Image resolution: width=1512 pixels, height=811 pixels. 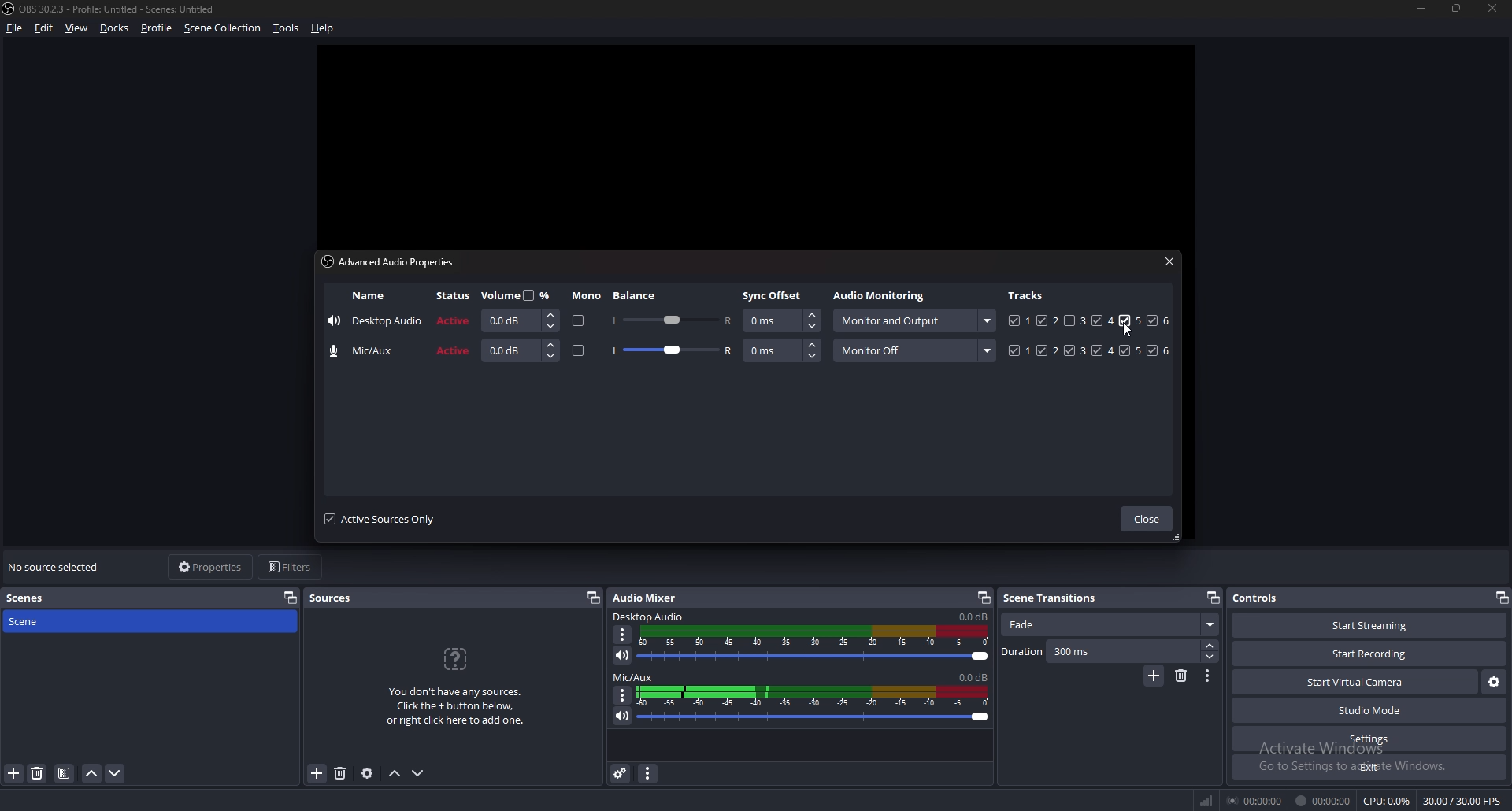 What do you see at coordinates (1210, 645) in the screenshot?
I see `increase duration` at bounding box center [1210, 645].